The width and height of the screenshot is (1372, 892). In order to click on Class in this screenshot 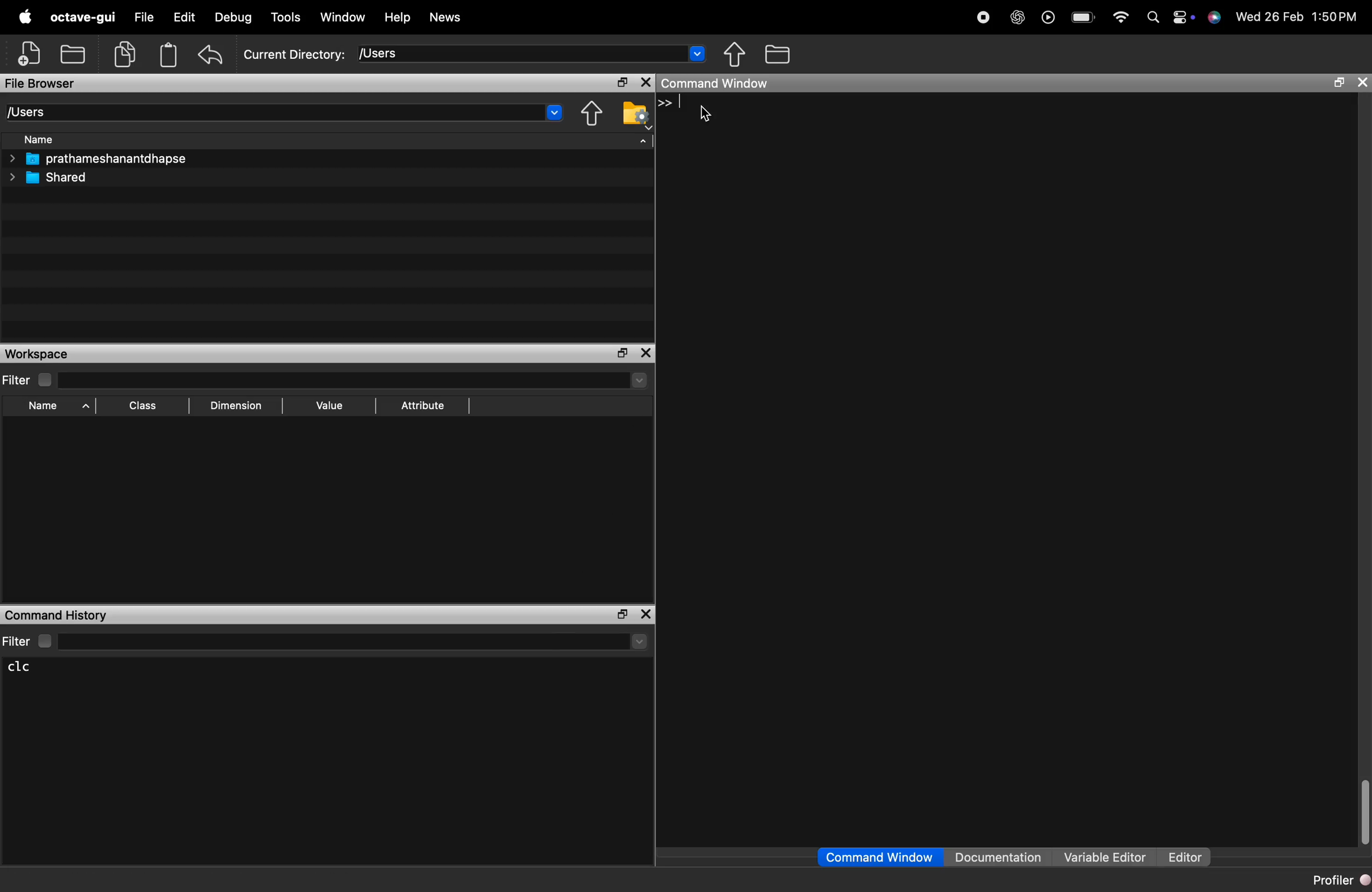, I will do `click(144, 407)`.